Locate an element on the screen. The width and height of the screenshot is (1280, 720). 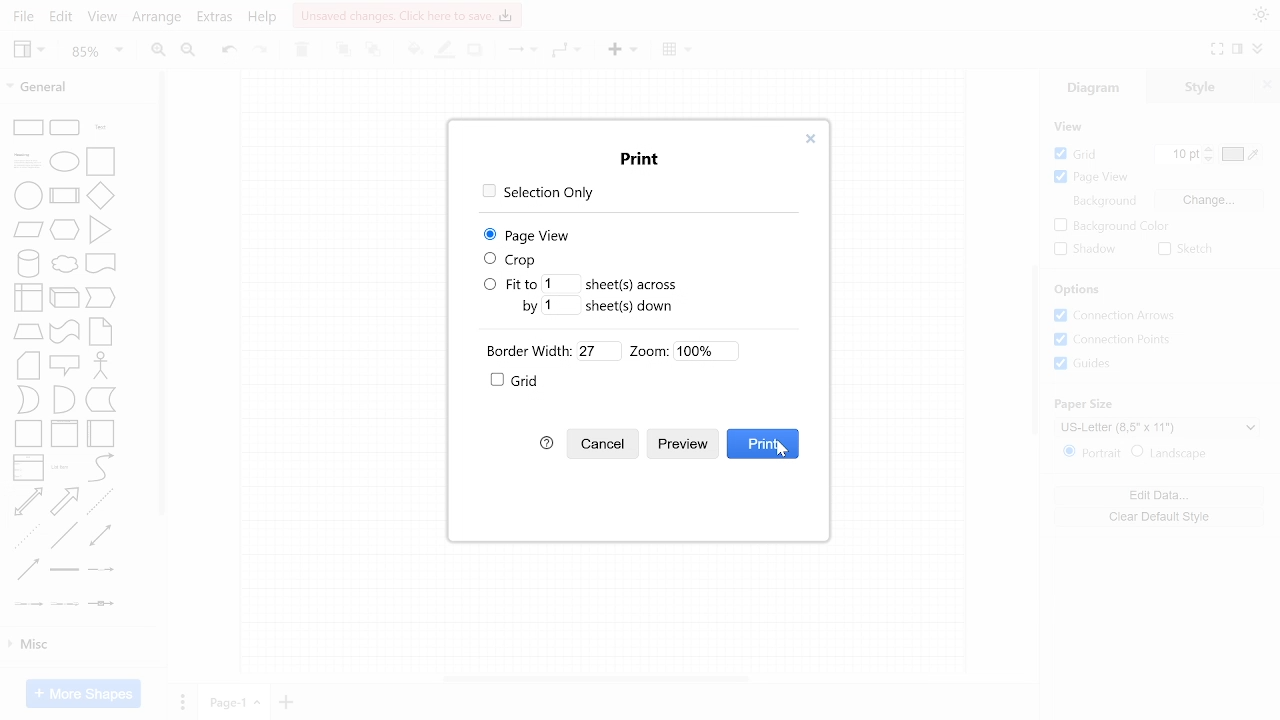
Help is located at coordinates (263, 19).